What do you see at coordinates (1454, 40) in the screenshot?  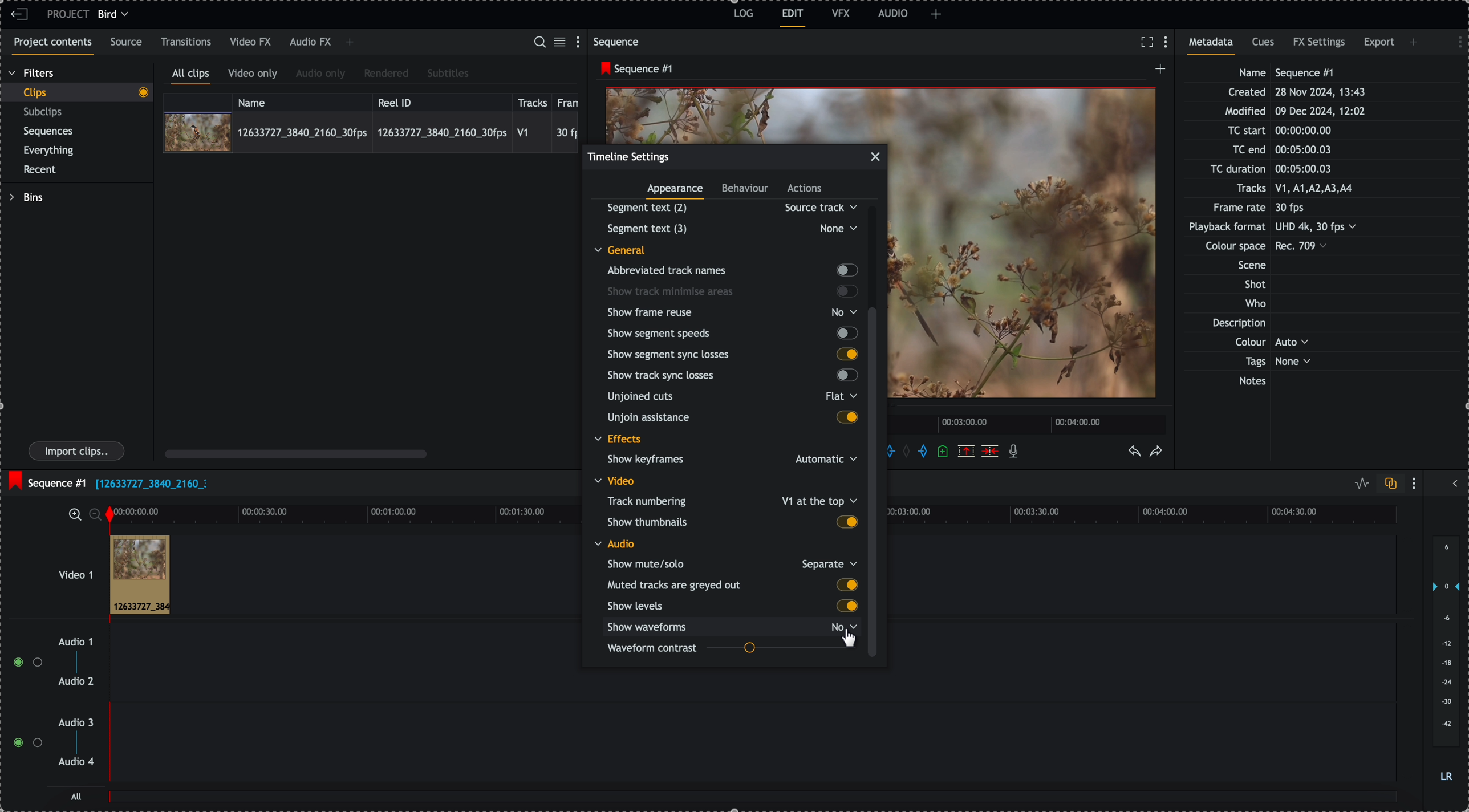 I see `show settings menu` at bounding box center [1454, 40].